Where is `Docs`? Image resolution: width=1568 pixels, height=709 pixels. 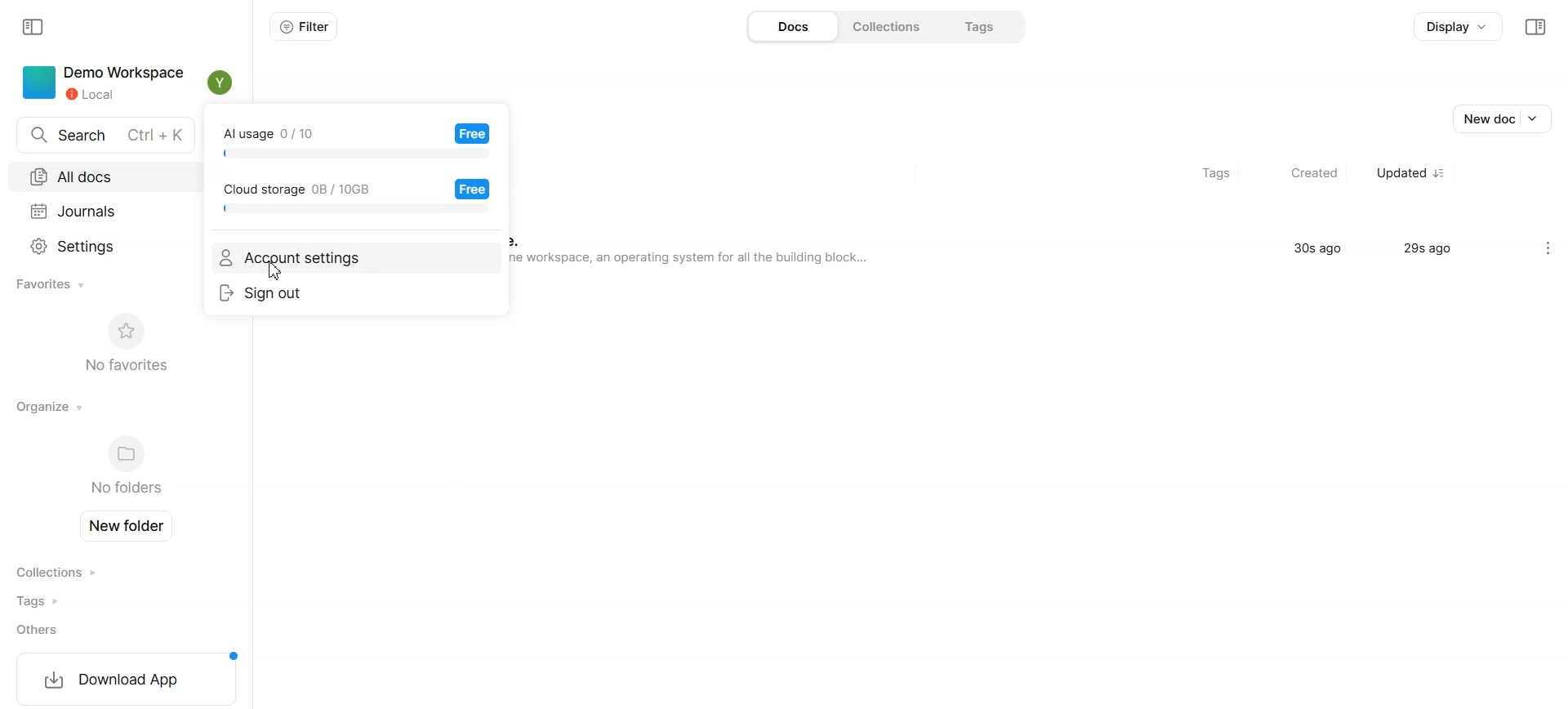
Docs is located at coordinates (791, 26).